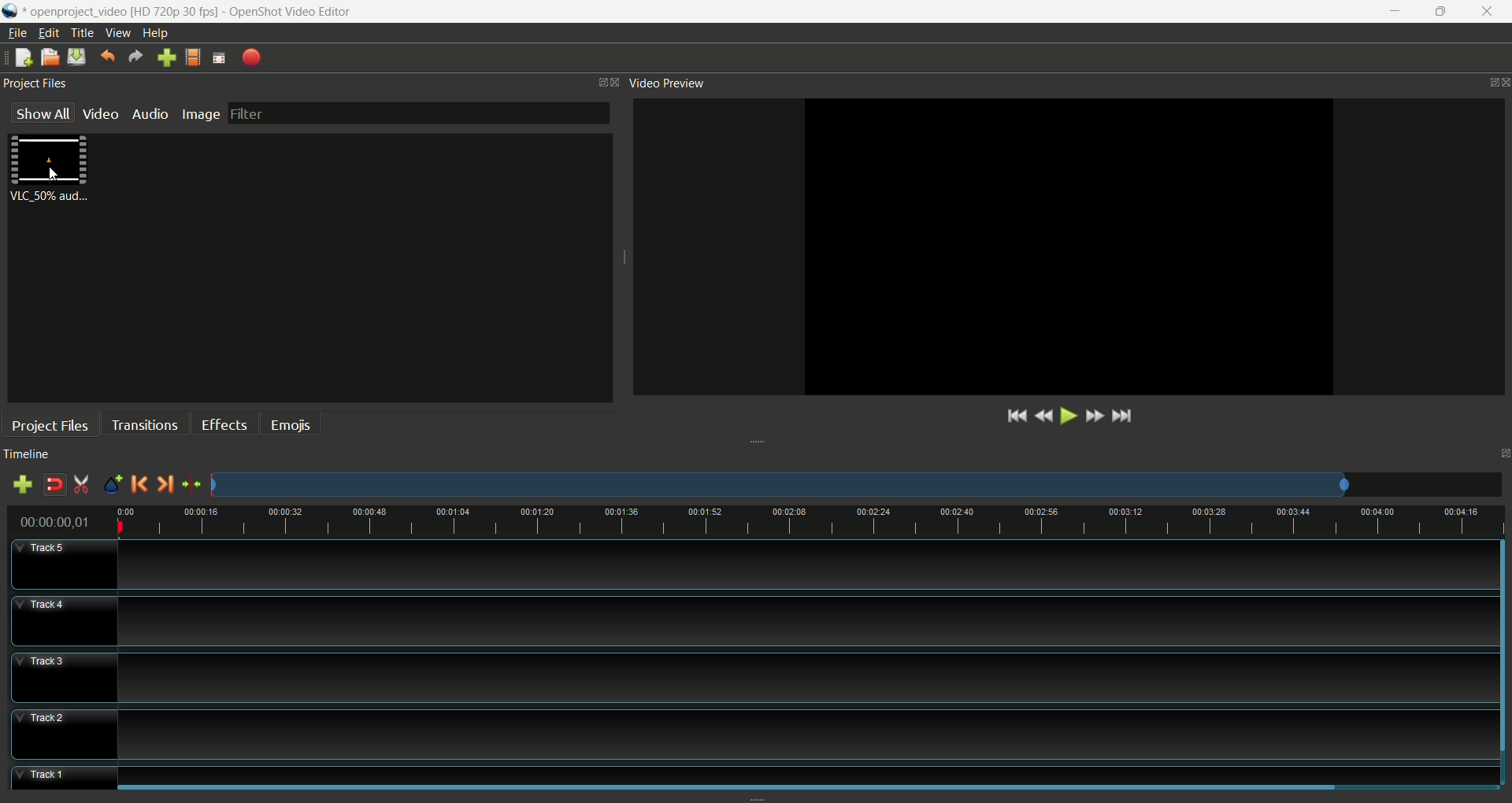  What do you see at coordinates (291, 424) in the screenshot?
I see `emojis` at bounding box center [291, 424].